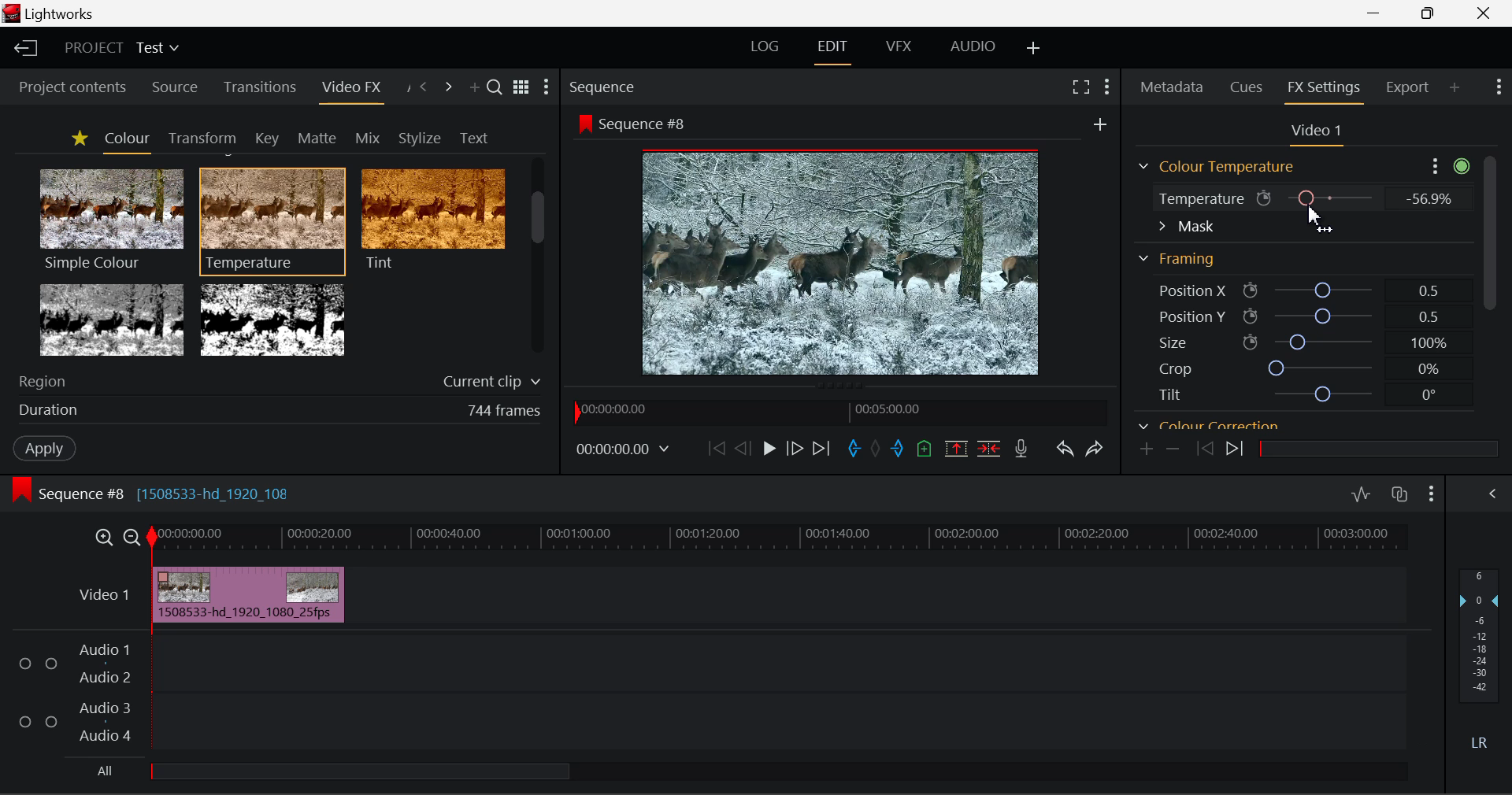 Image resolution: width=1512 pixels, height=795 pixels. Describe the element at coordinates (1325, 394) in the screenshot. I see `tilt` at that location.